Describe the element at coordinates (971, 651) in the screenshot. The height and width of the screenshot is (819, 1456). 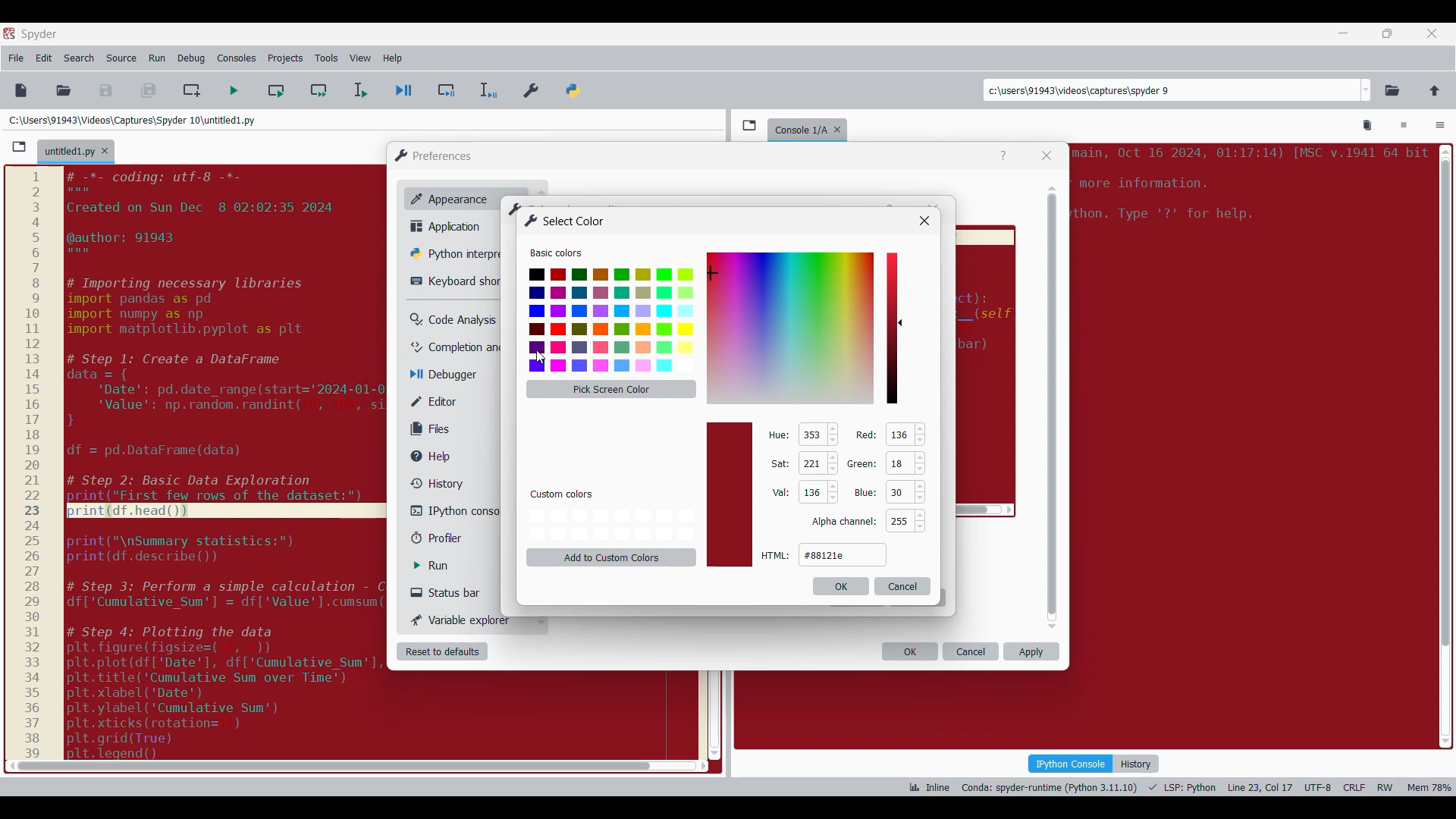
I see `Cancel` at that location.